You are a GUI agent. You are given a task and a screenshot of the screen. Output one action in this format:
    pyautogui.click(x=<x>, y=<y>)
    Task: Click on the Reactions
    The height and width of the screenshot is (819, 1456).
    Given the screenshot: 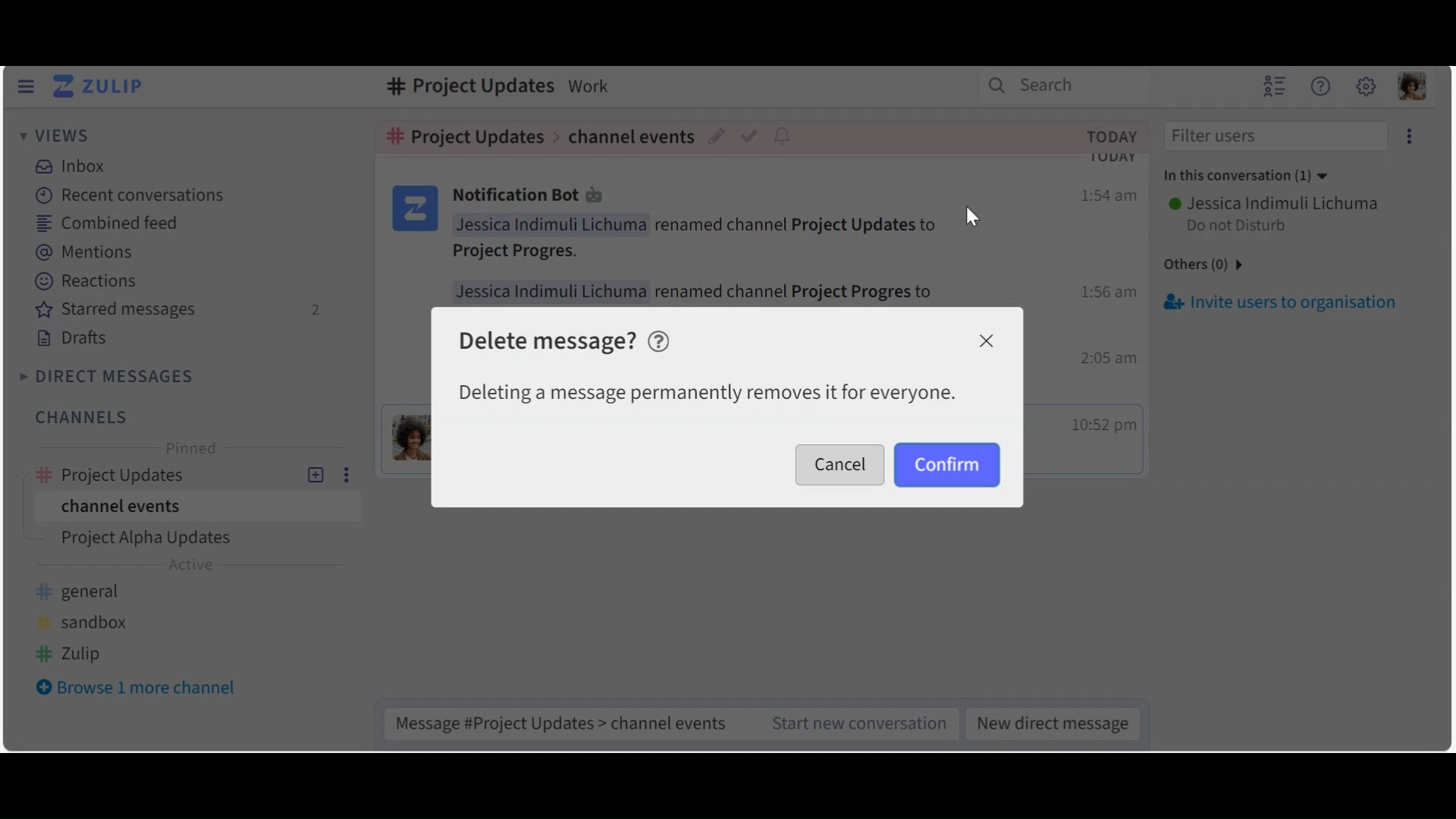 What is the action you would take?
    pyautogui.click(x=88, y=282)
    